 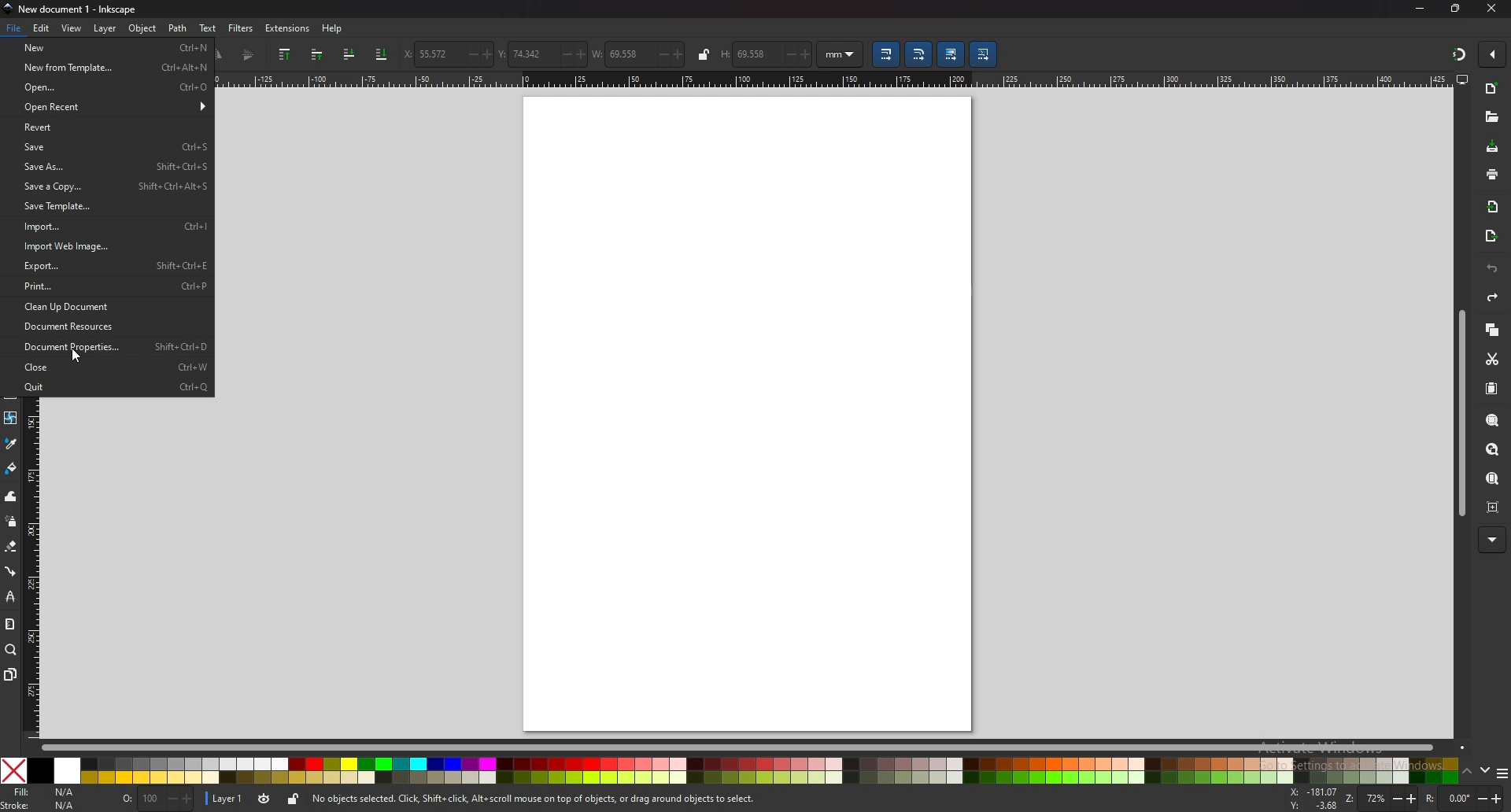 I want to click on scroll bar, so click(x=1462, y=414).